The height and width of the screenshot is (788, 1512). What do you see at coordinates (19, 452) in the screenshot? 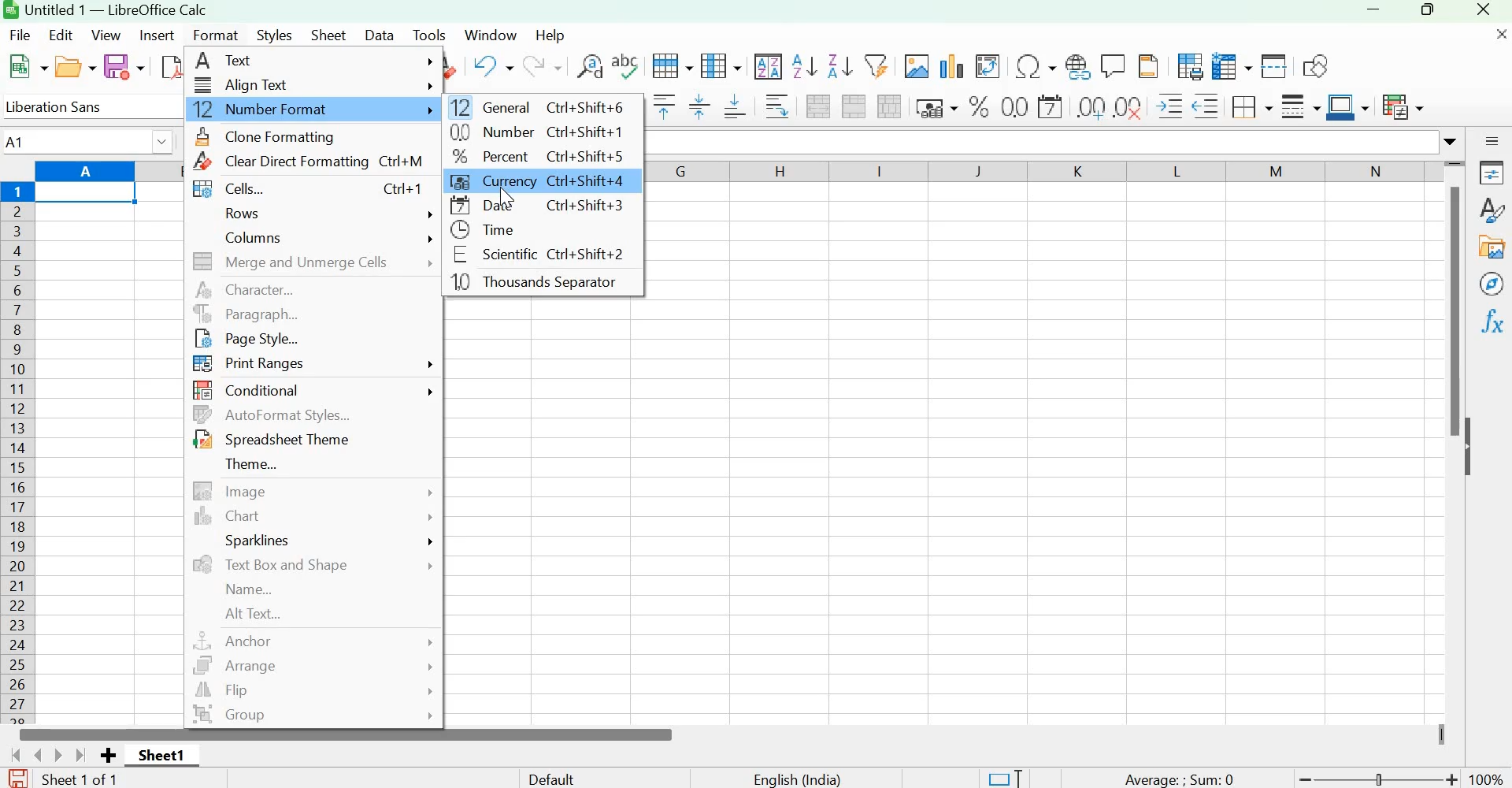
I see `Columns` at bounding box center [19, 452].